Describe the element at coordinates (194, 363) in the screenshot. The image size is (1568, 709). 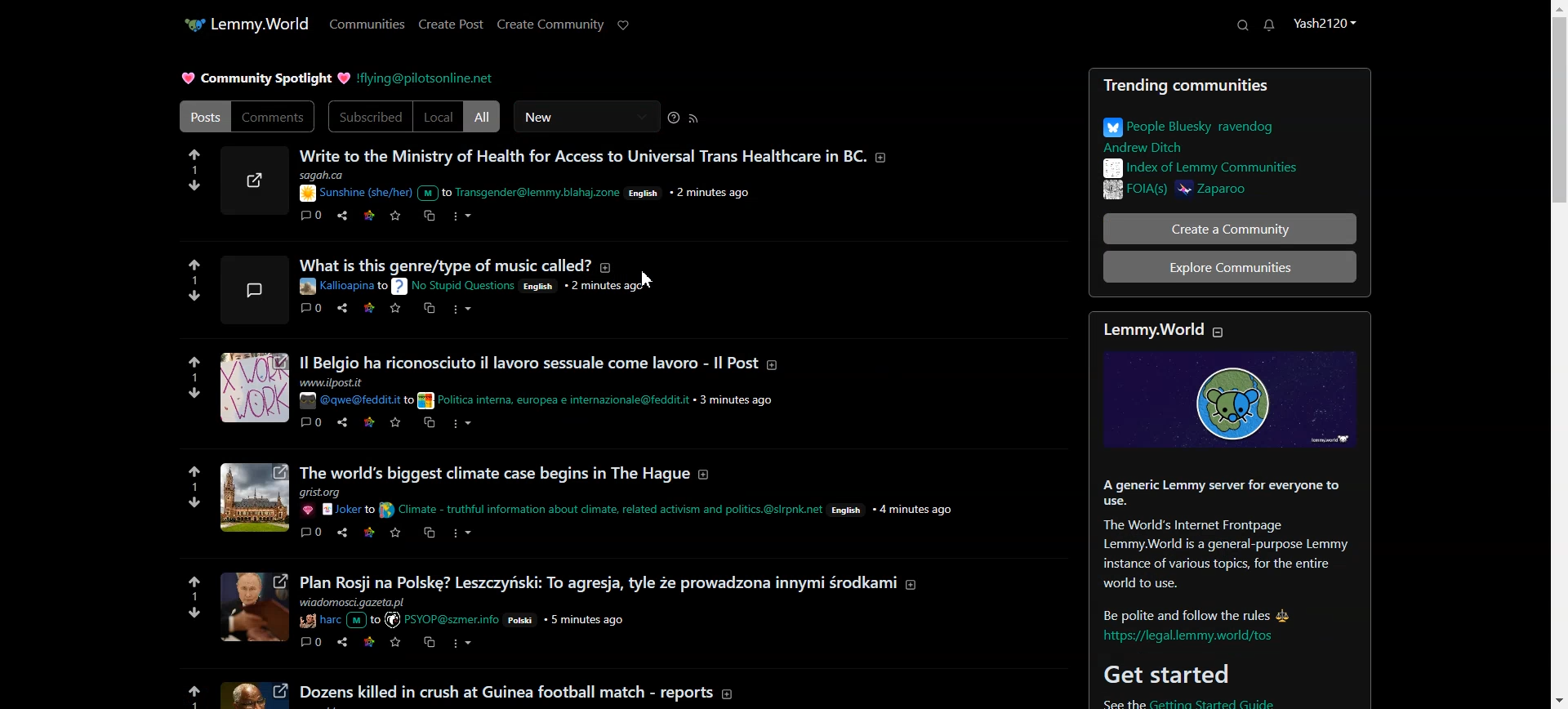
I see `upvote` at that location.